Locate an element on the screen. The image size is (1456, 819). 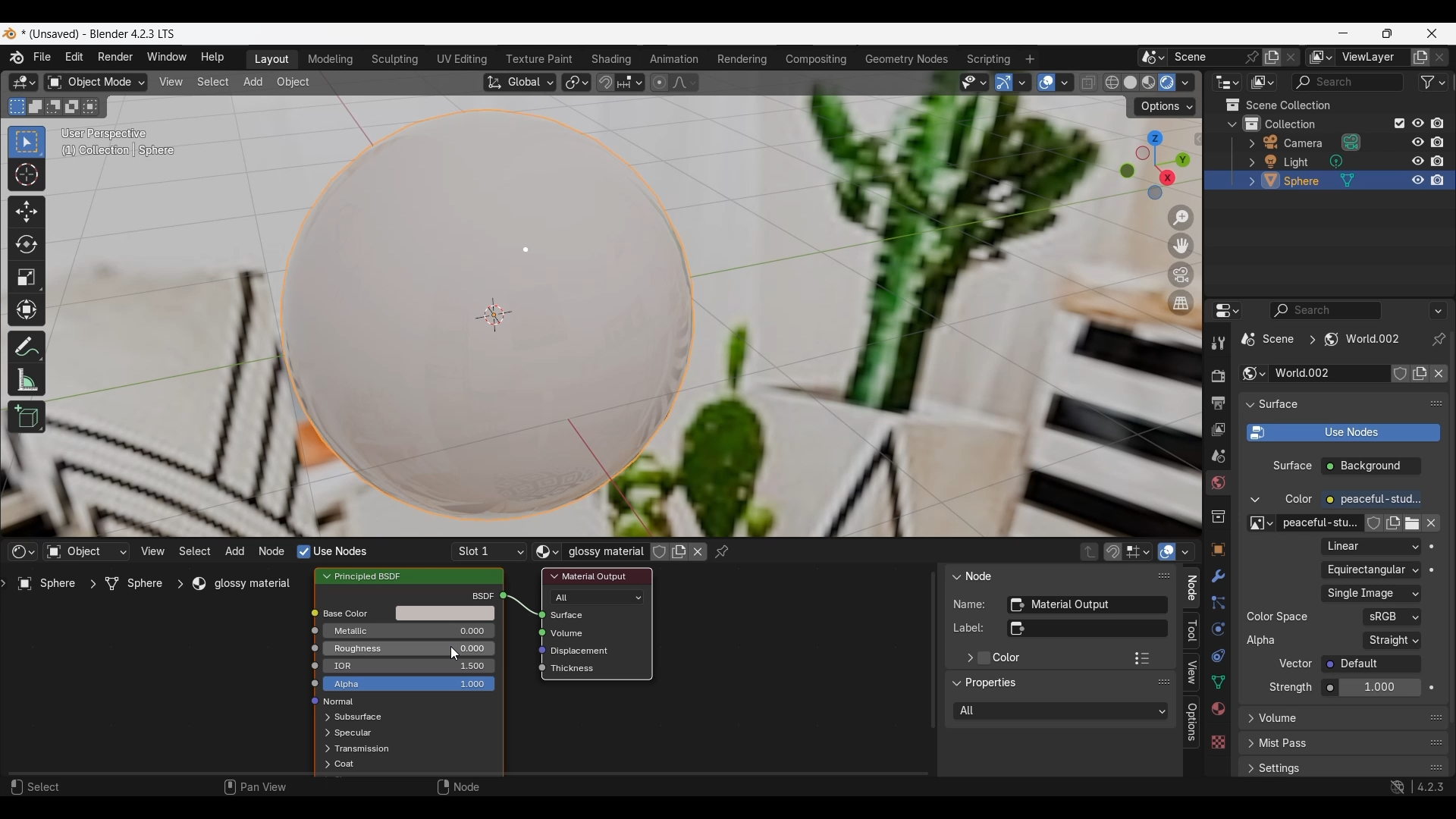
Overlays is located at coordinates (1185, 551).